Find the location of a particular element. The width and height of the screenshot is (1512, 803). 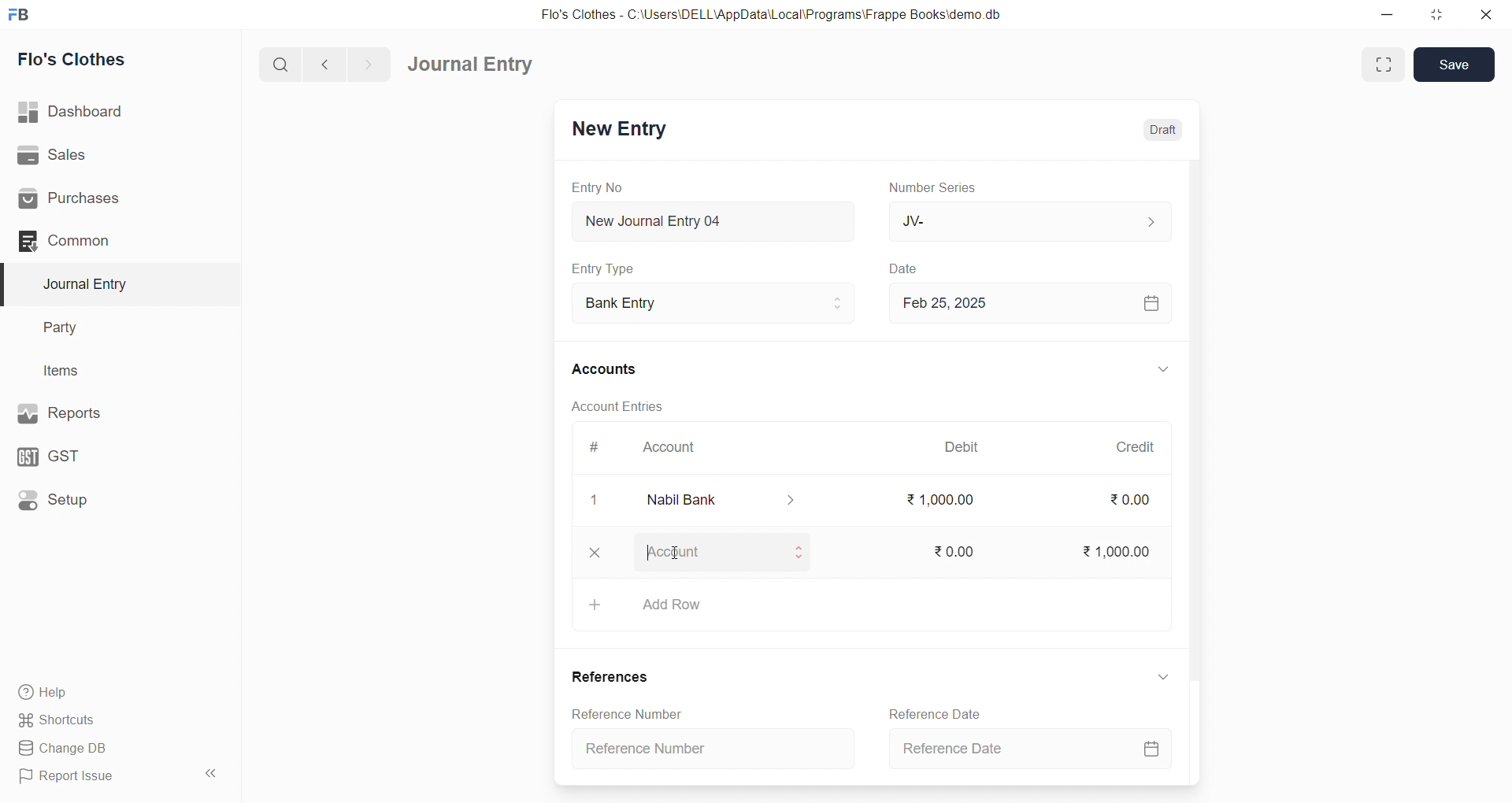

₹ 0.00 is located at coordinates (953, 549).